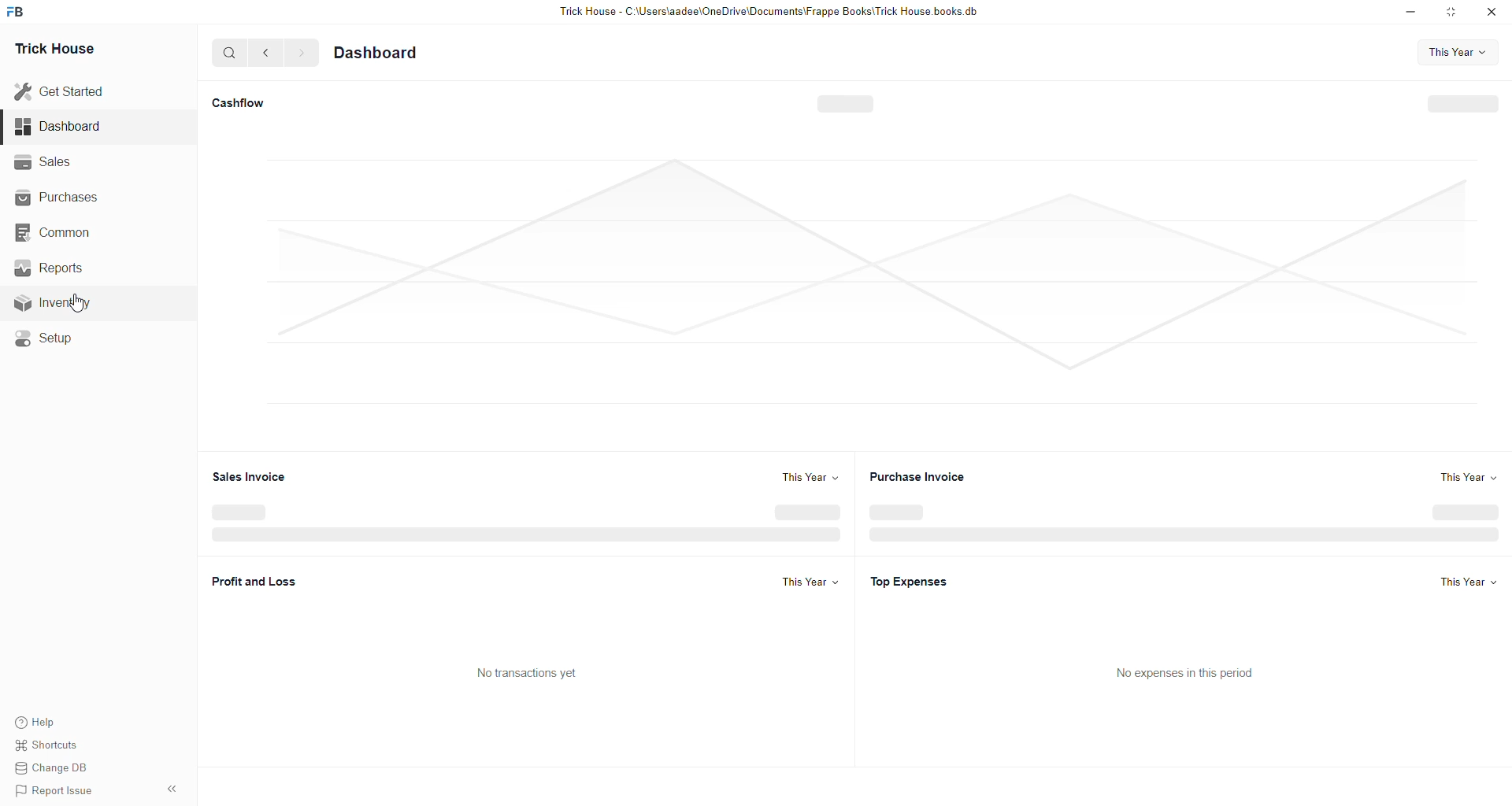  Describe the element at coordinates (392, 54) in the screenshot. I see `Dashboard` at that location.